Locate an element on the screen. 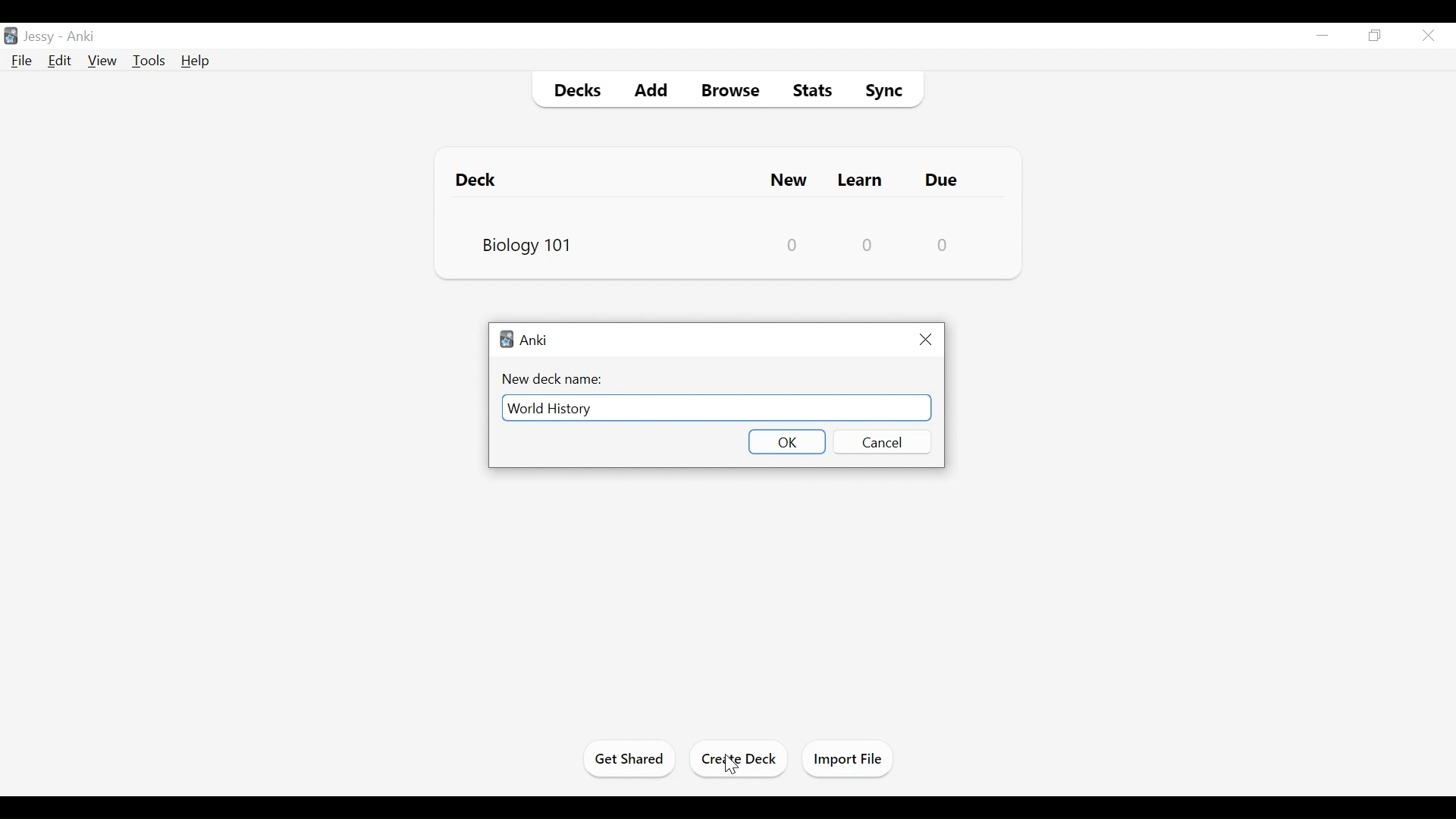 This screenshot has width=1456, height=819. Sync is located at coordinates (886, 88).